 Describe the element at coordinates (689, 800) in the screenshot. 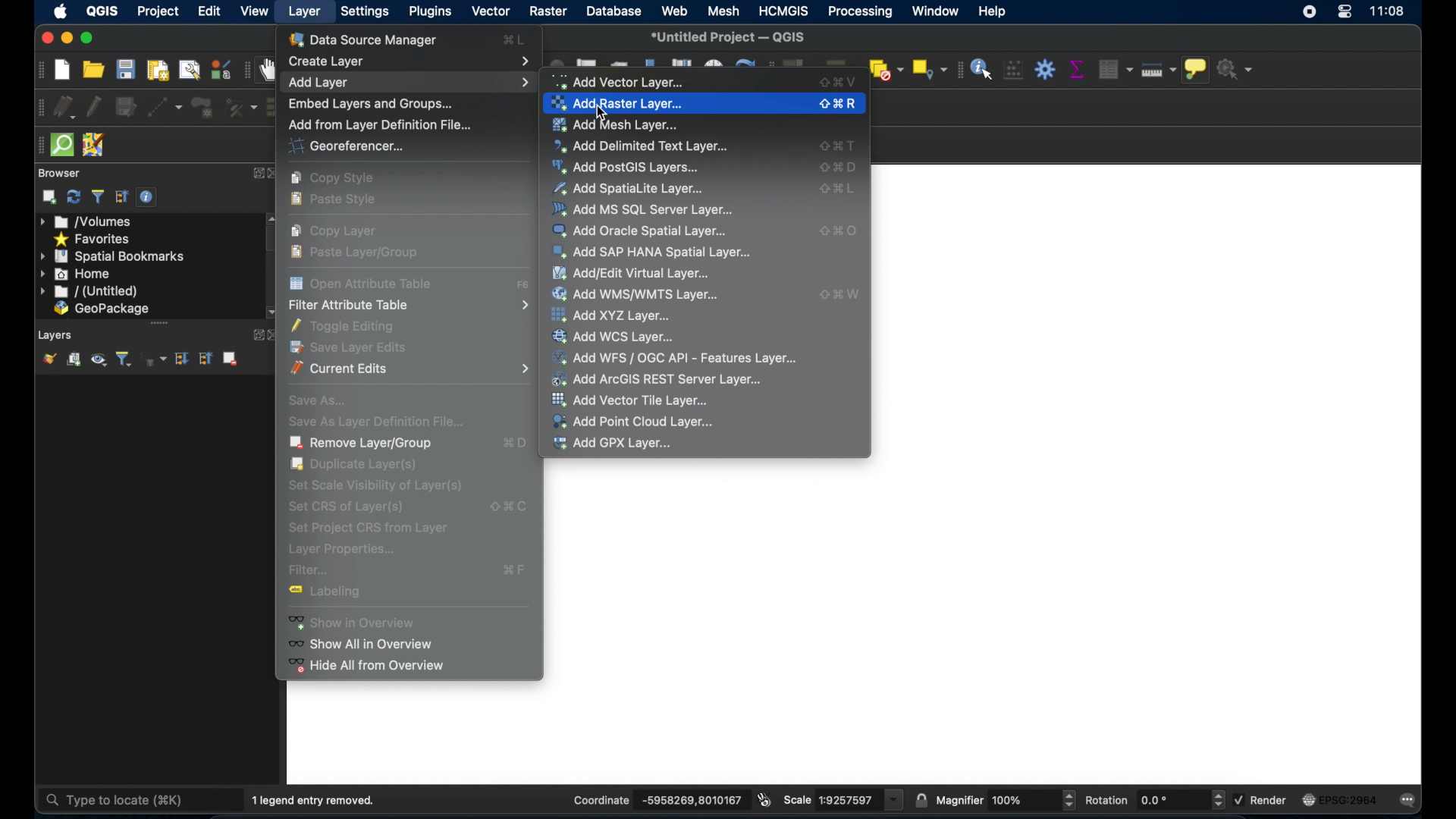

I see `coordinate` at that location.